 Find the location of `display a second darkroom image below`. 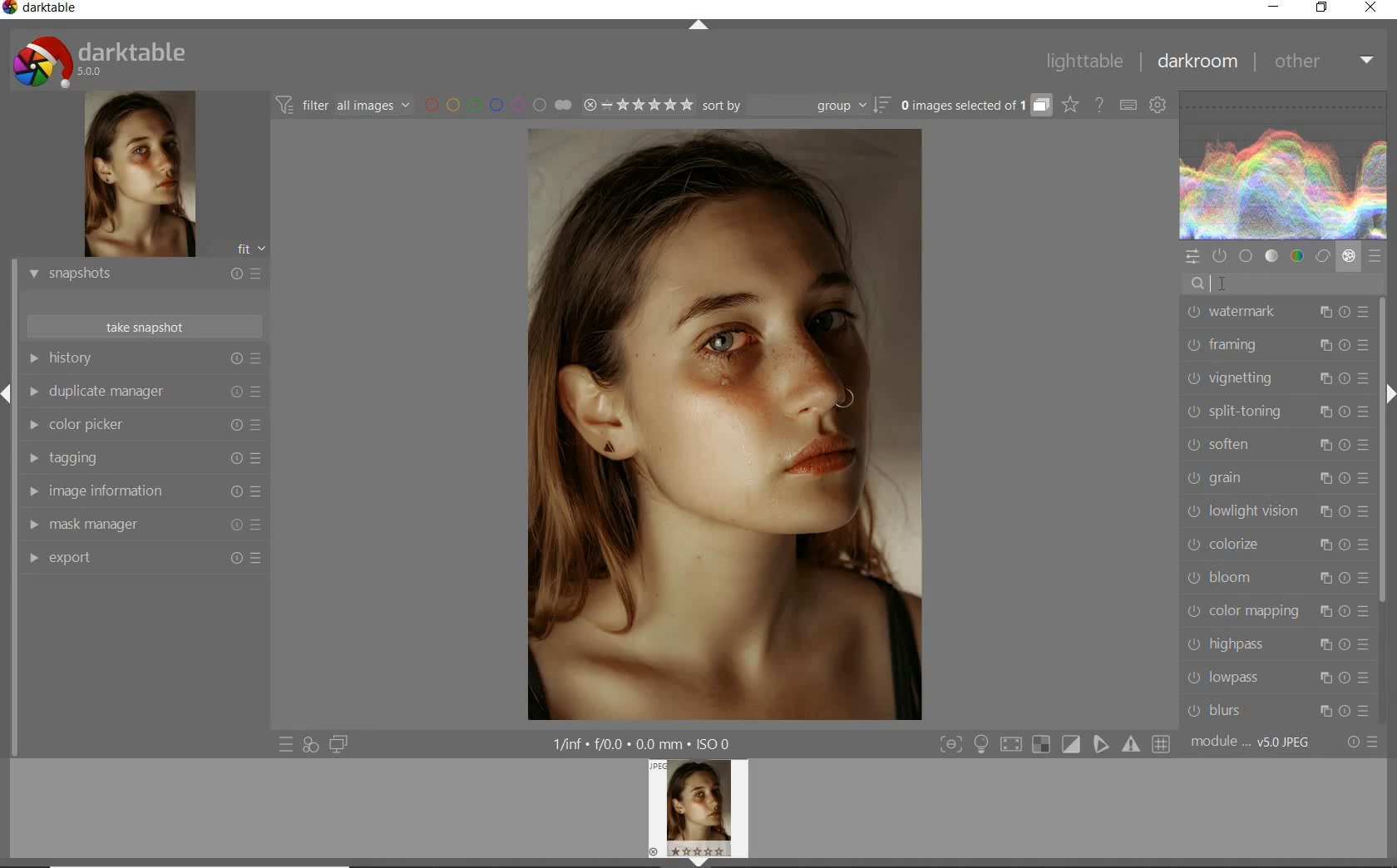

display a second darkroom image below is located at coordinates (335, 742).